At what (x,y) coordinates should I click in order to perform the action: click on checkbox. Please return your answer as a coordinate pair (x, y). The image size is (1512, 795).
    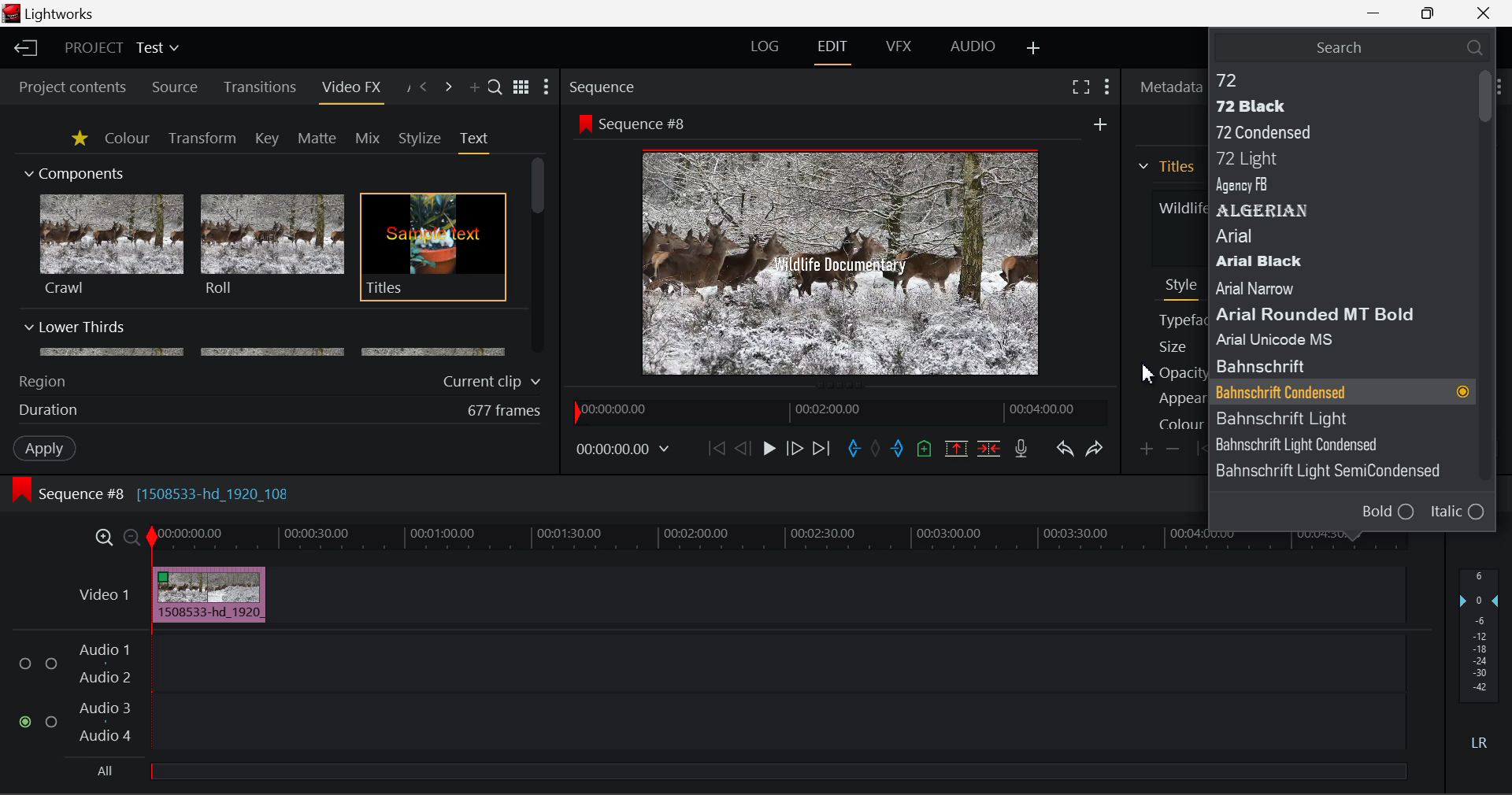
    Looking at the image, I should click on (54, 723).